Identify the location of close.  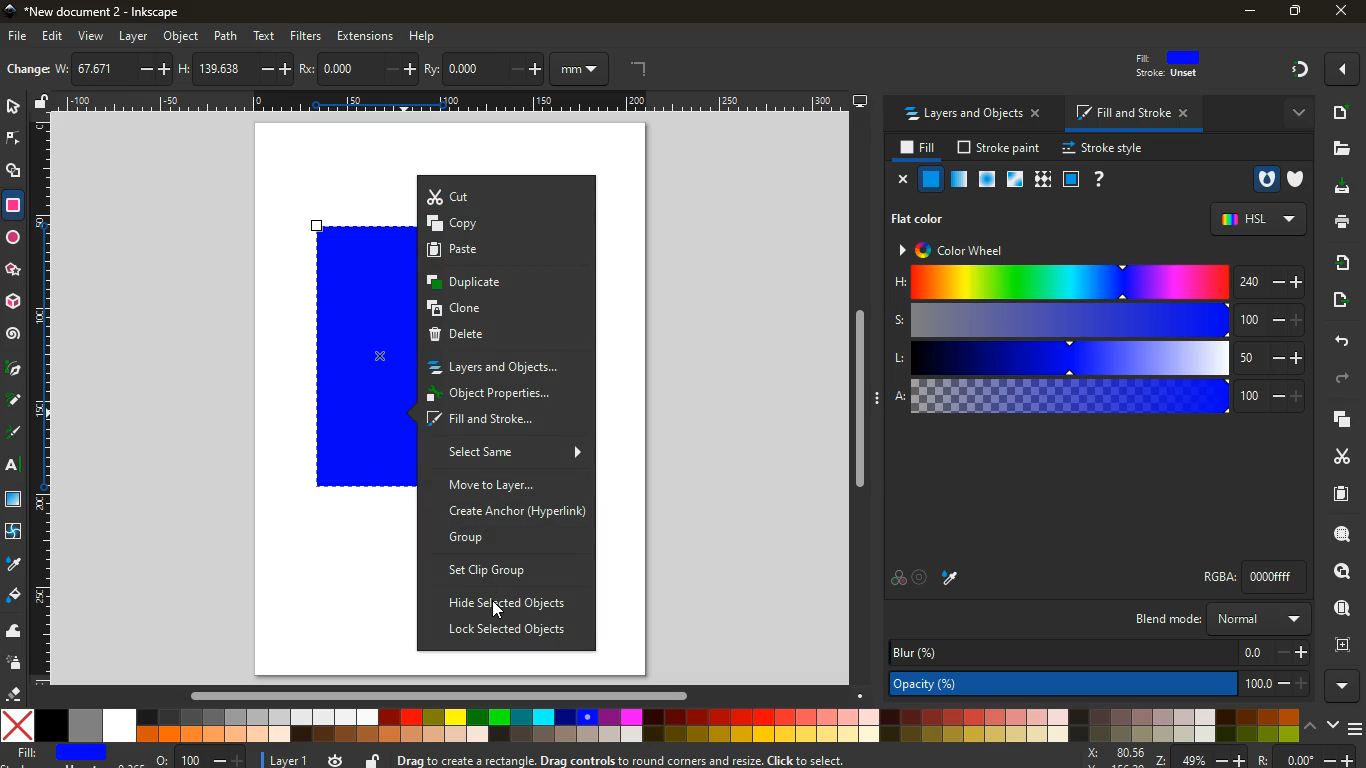
(1343, 12).